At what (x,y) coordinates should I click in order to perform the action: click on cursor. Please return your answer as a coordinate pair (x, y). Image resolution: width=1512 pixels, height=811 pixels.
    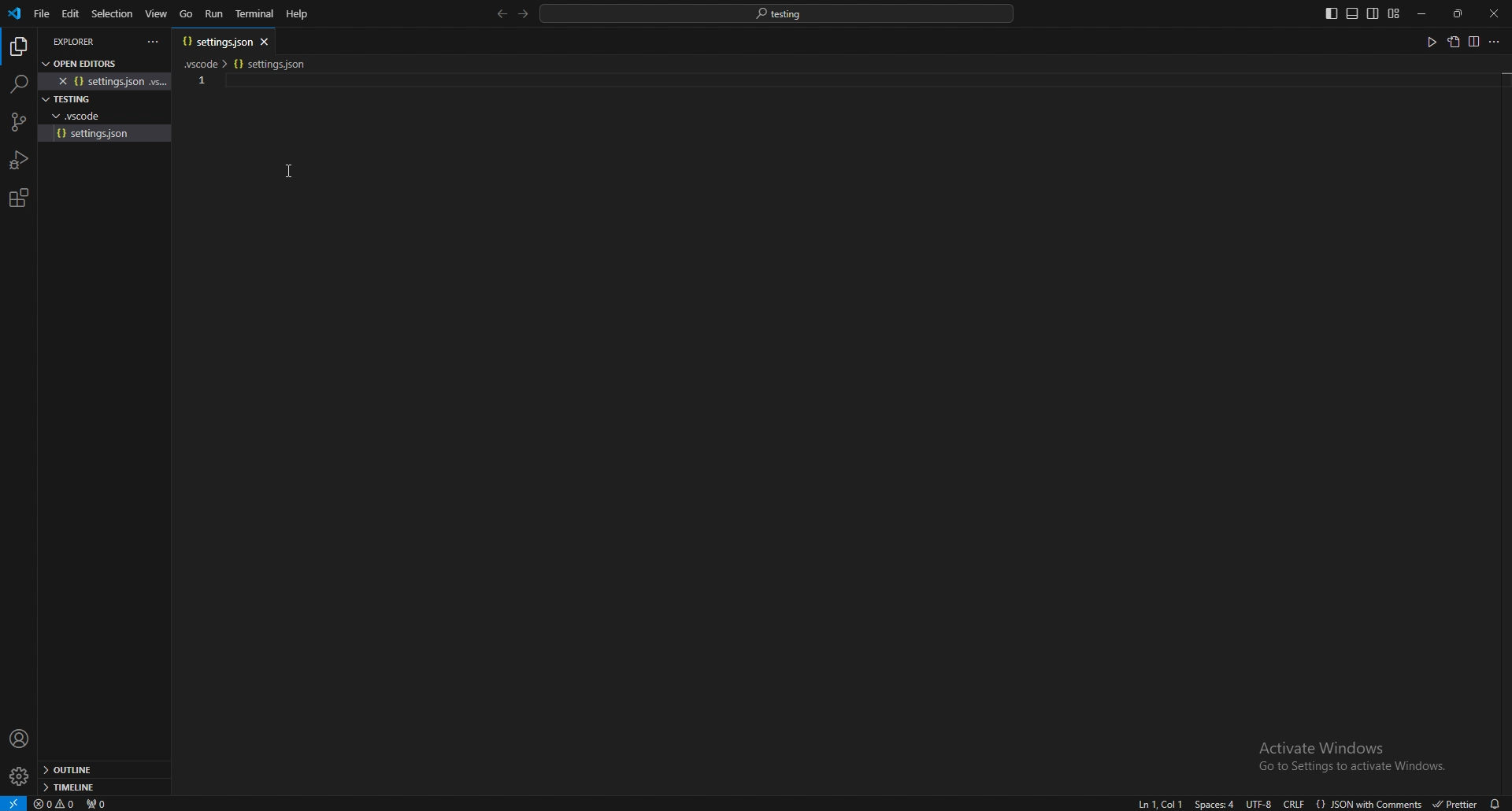
    Looking at the image, I should click on (304, 170).